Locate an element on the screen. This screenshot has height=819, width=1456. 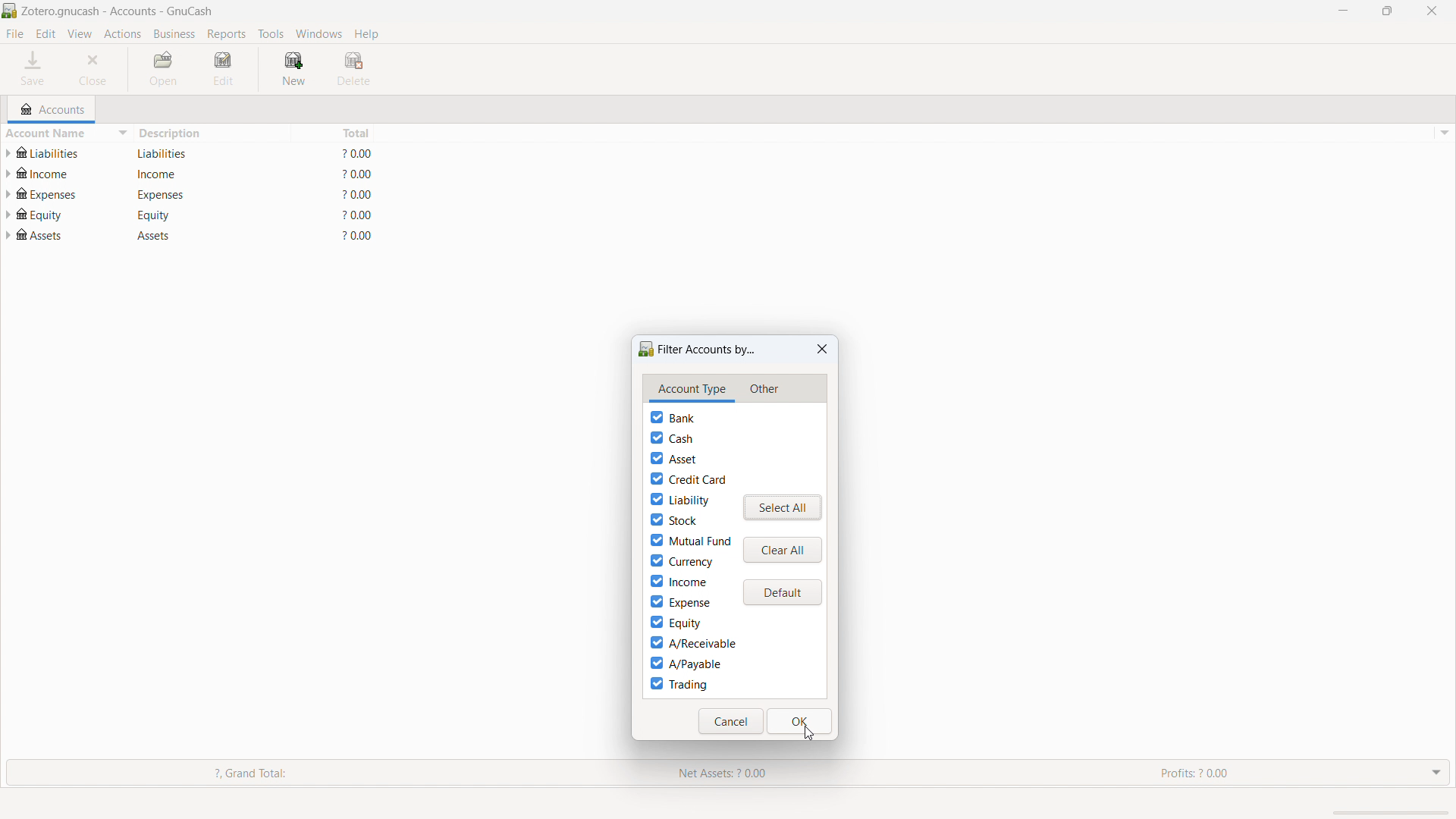
edit is located at coordinates (46, 33).